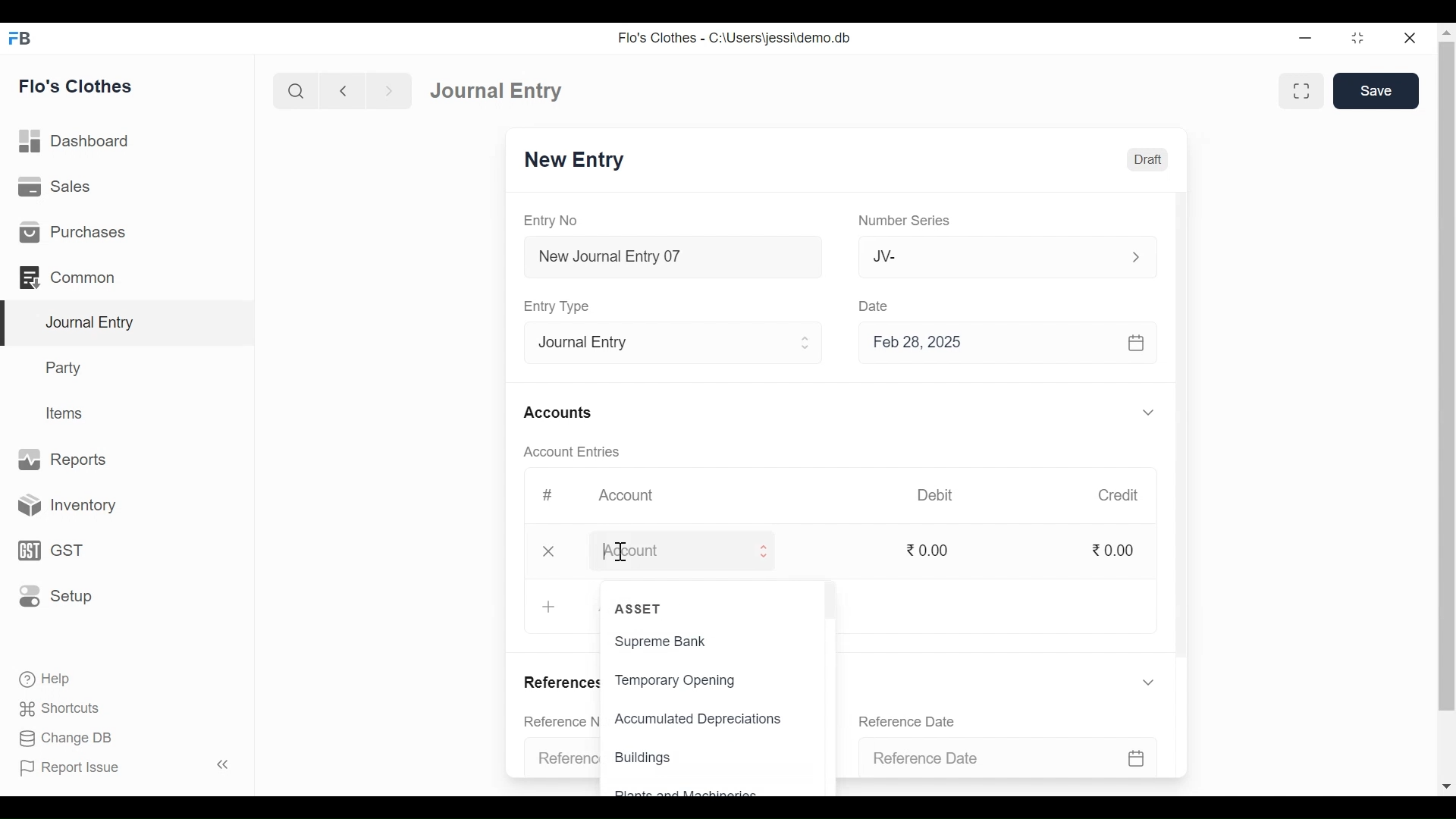 Image resolution: width=1456 pixels, height=819 pixels. I want to click on Navigate Forward, so click(387, 93).